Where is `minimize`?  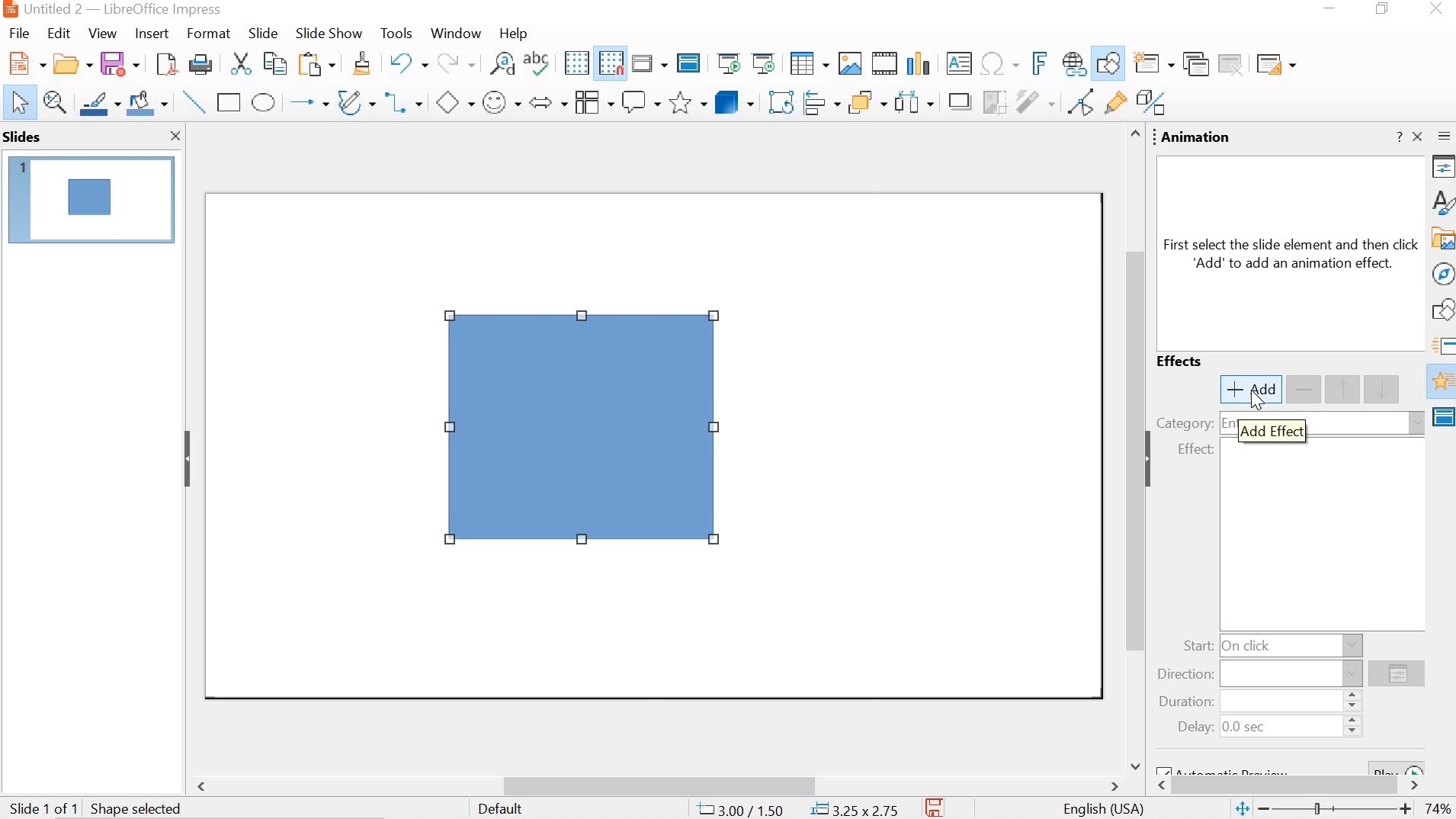
minimize is located at coordinates (1326, 9).